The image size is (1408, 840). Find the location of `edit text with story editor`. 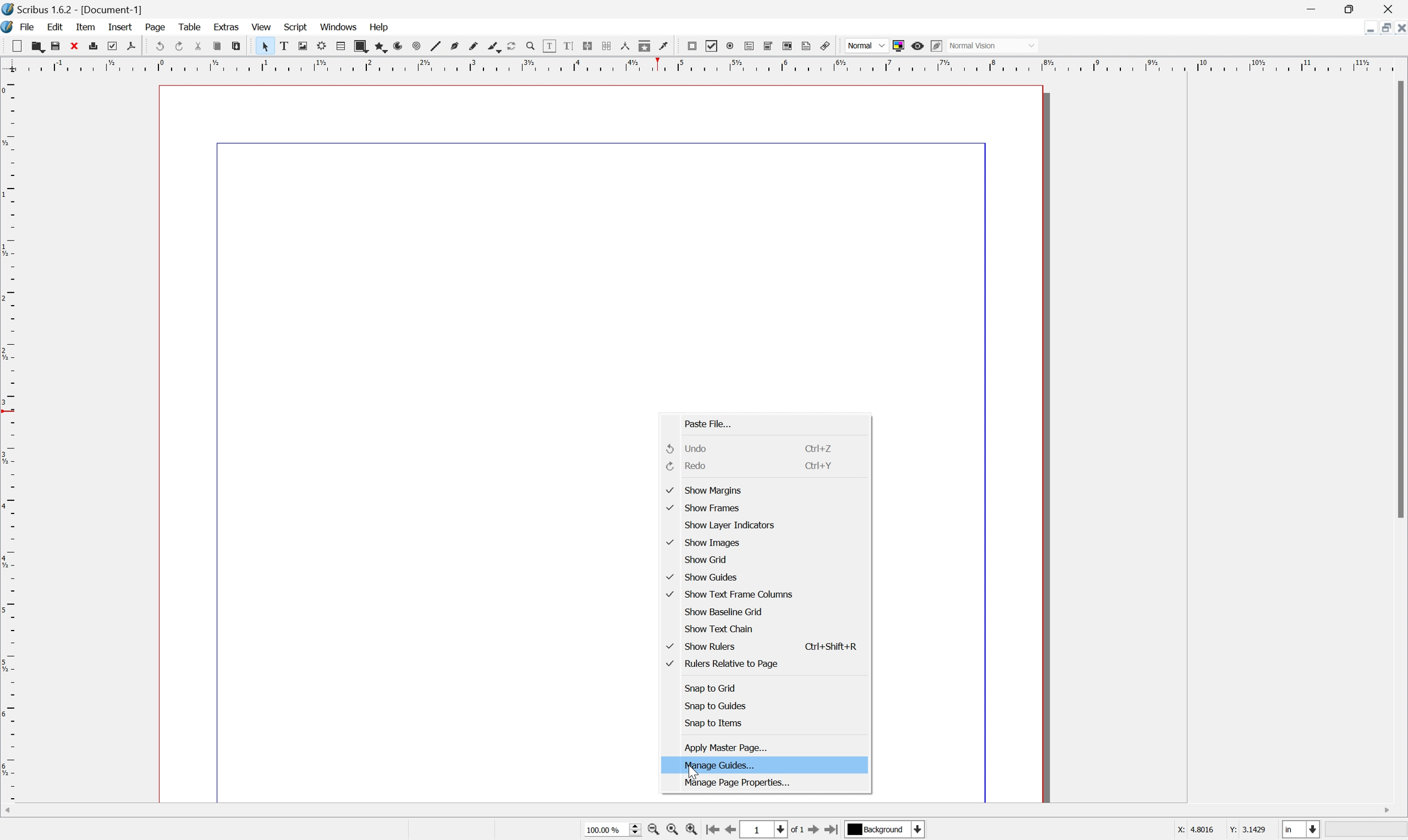

edit text with story editor is located at coordinates (570, 46).